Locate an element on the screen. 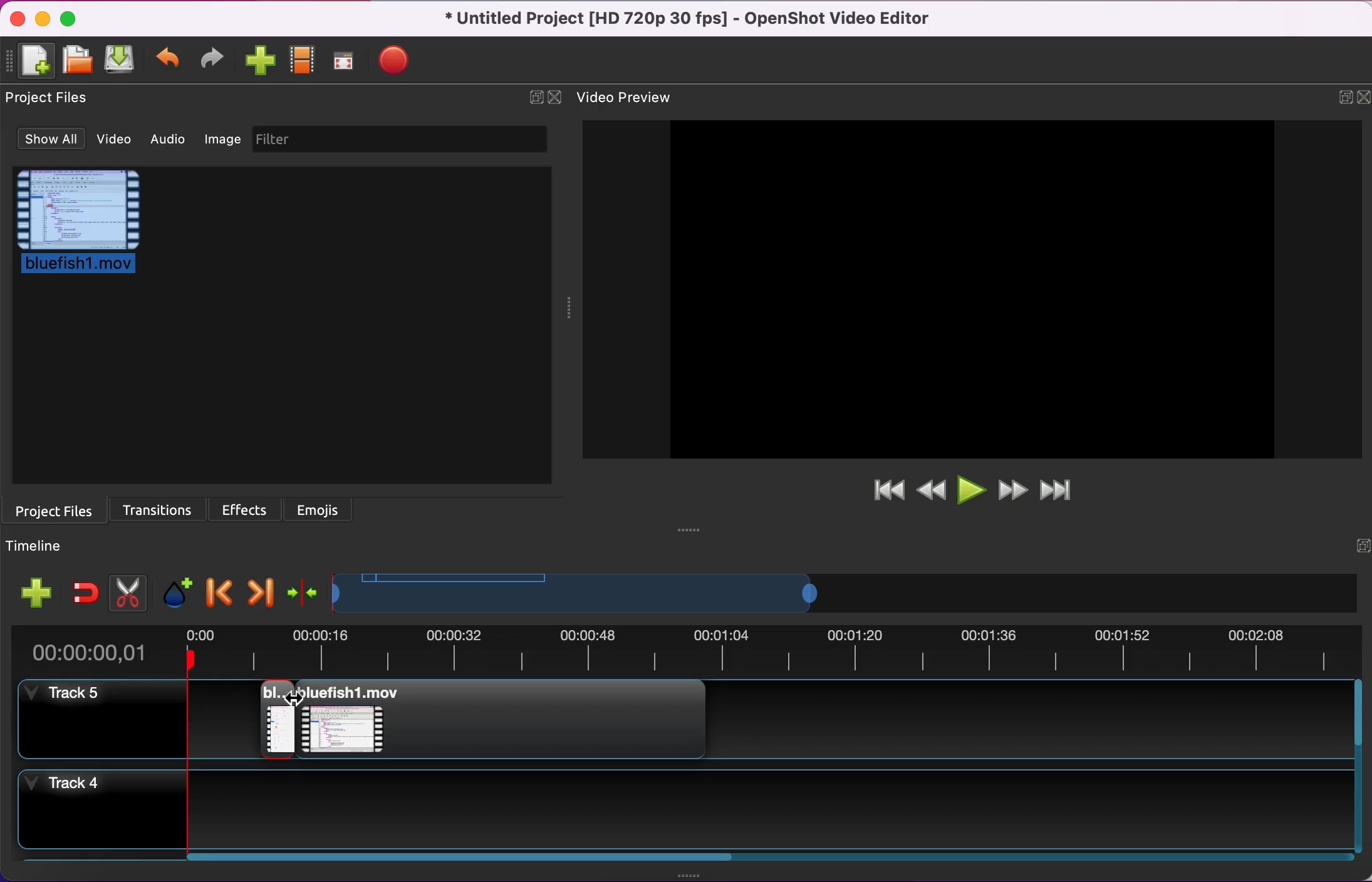  new project is located at coordinates (34, 61).